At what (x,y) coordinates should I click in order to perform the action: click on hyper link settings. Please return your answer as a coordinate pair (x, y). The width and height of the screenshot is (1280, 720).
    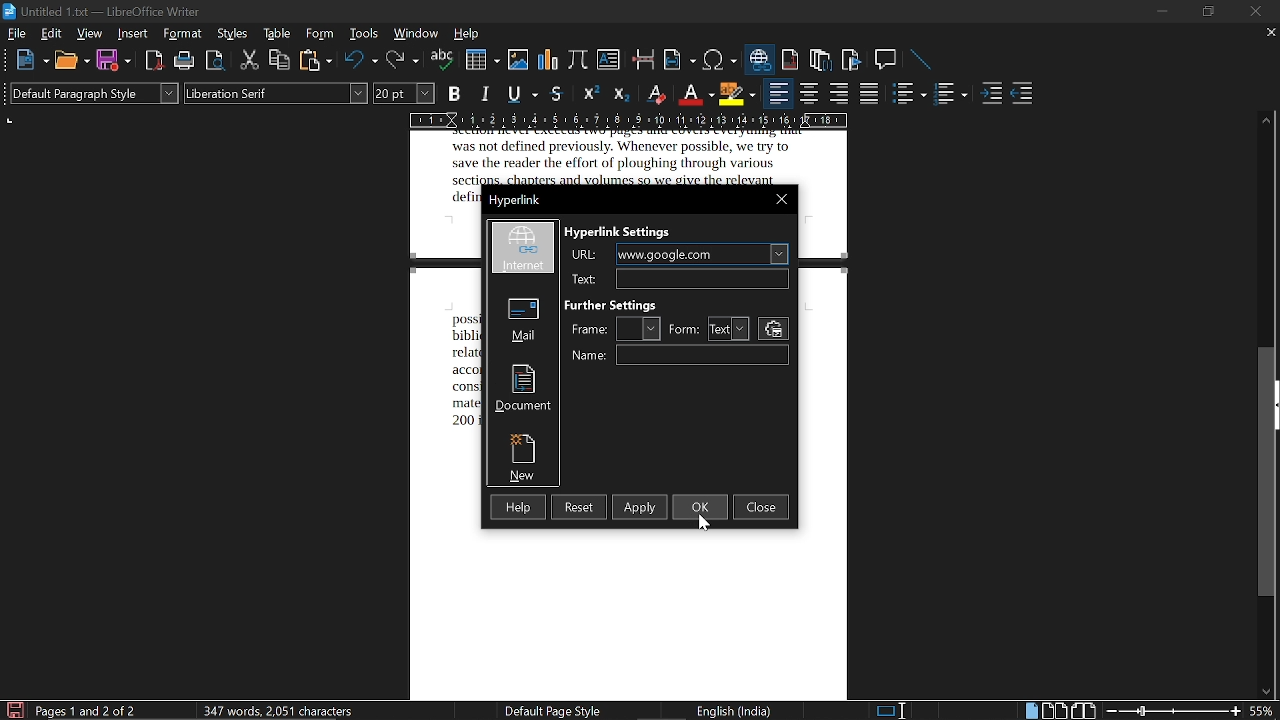
    Looking at the image, I should click on (628, 234).